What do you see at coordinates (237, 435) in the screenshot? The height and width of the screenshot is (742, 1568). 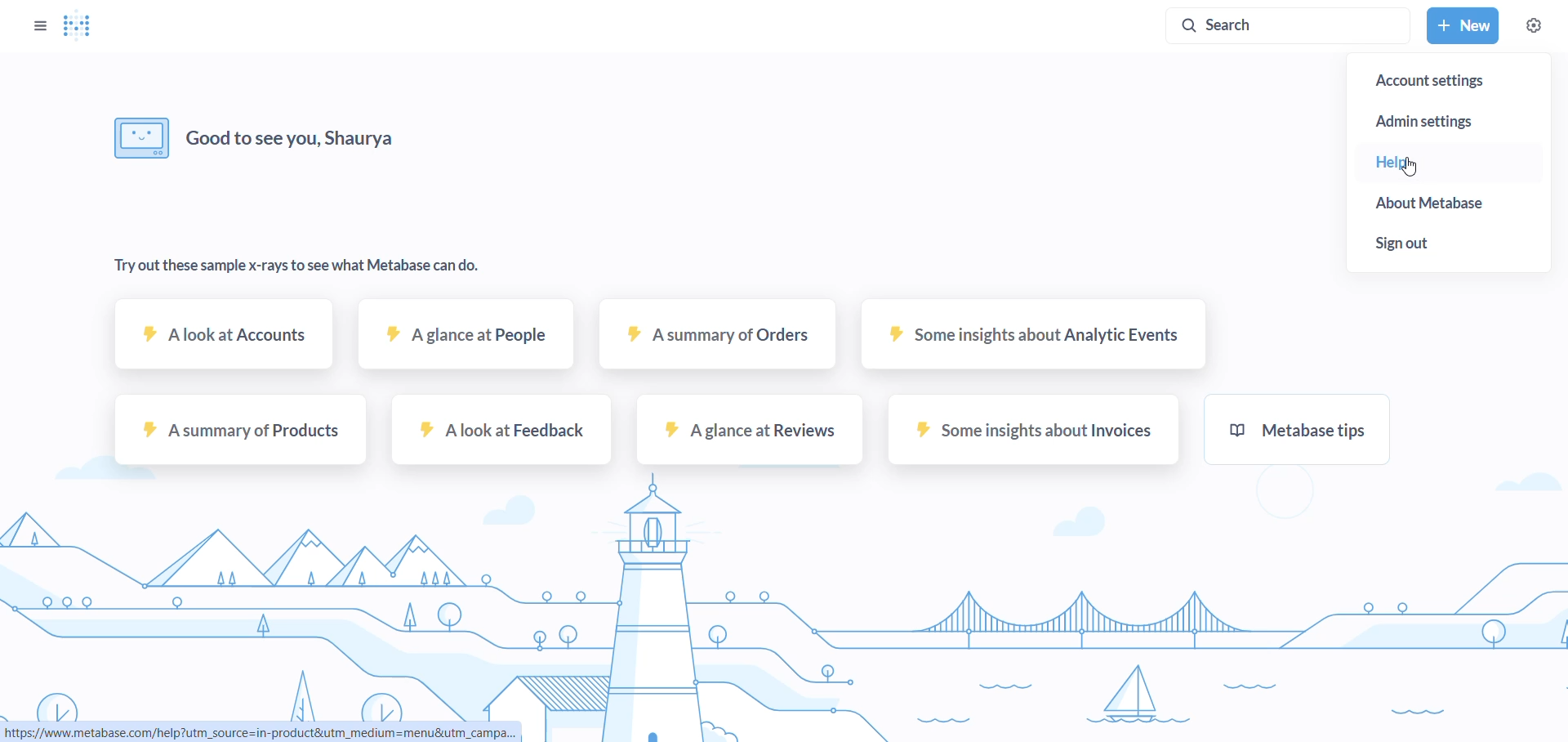 I see `A summary of Products sample` at bounding box center [237, 435].